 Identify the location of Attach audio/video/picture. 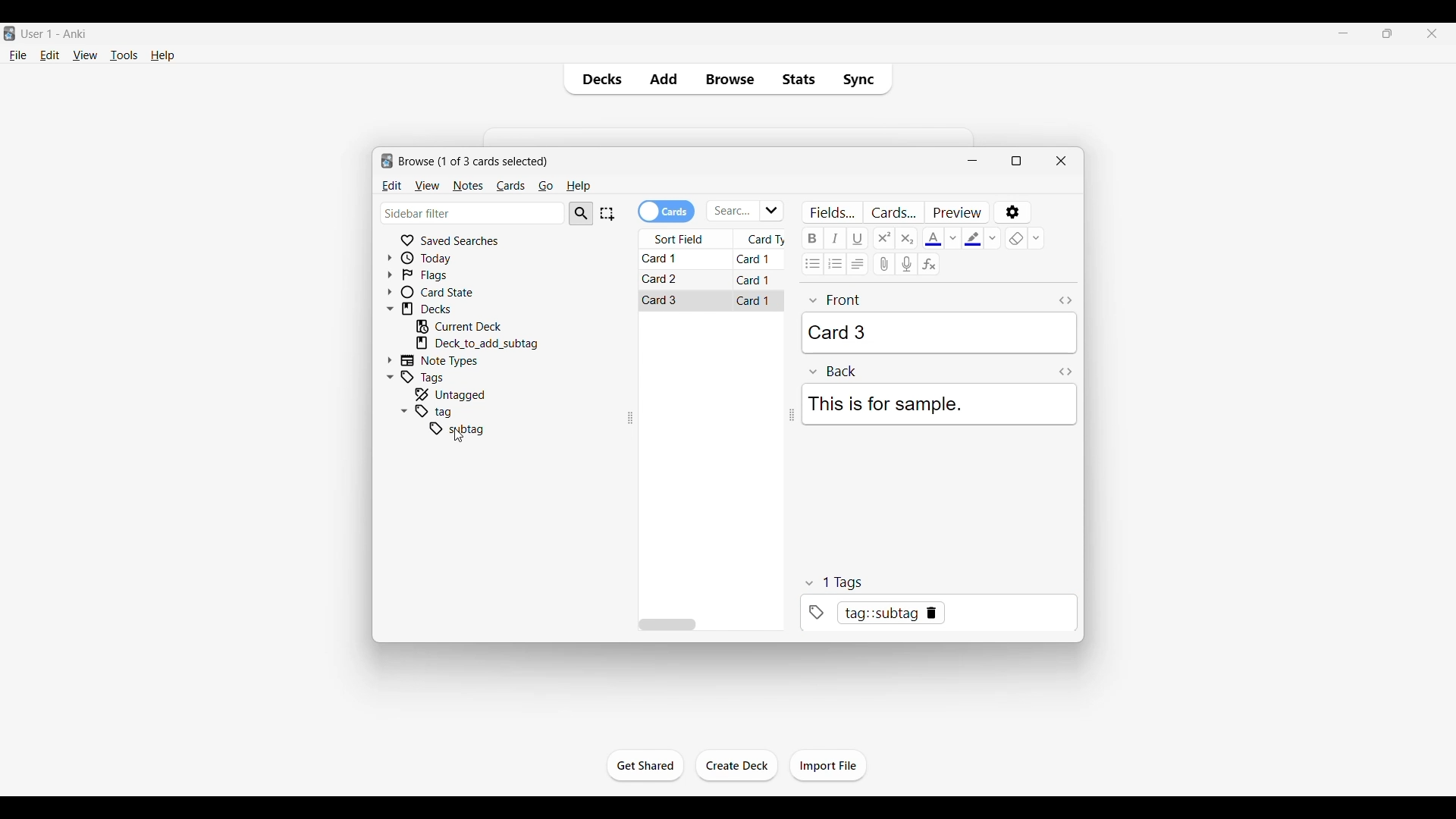
(883, 264).